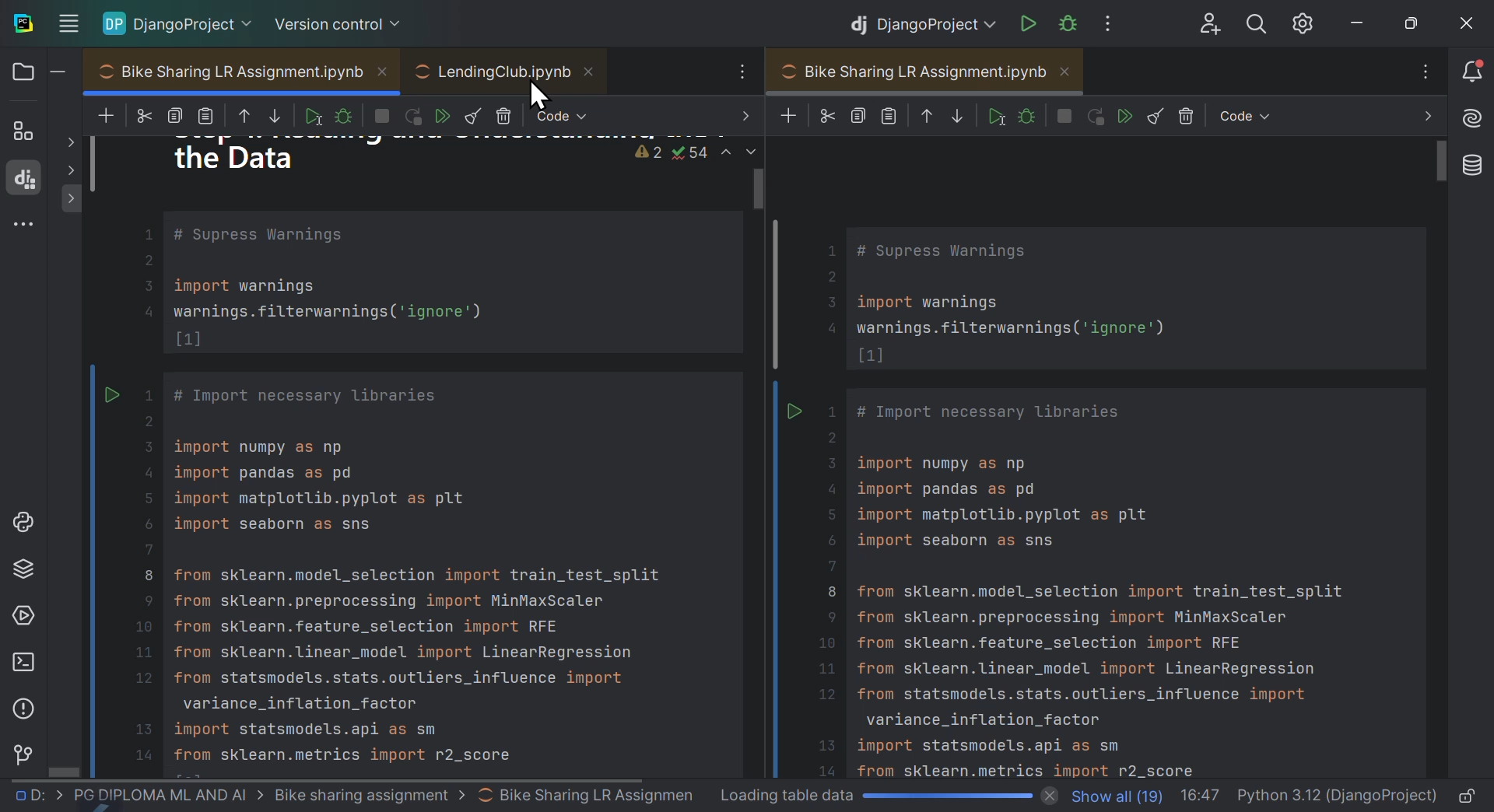  I want to click on scroll bar, so click(1443, 166).